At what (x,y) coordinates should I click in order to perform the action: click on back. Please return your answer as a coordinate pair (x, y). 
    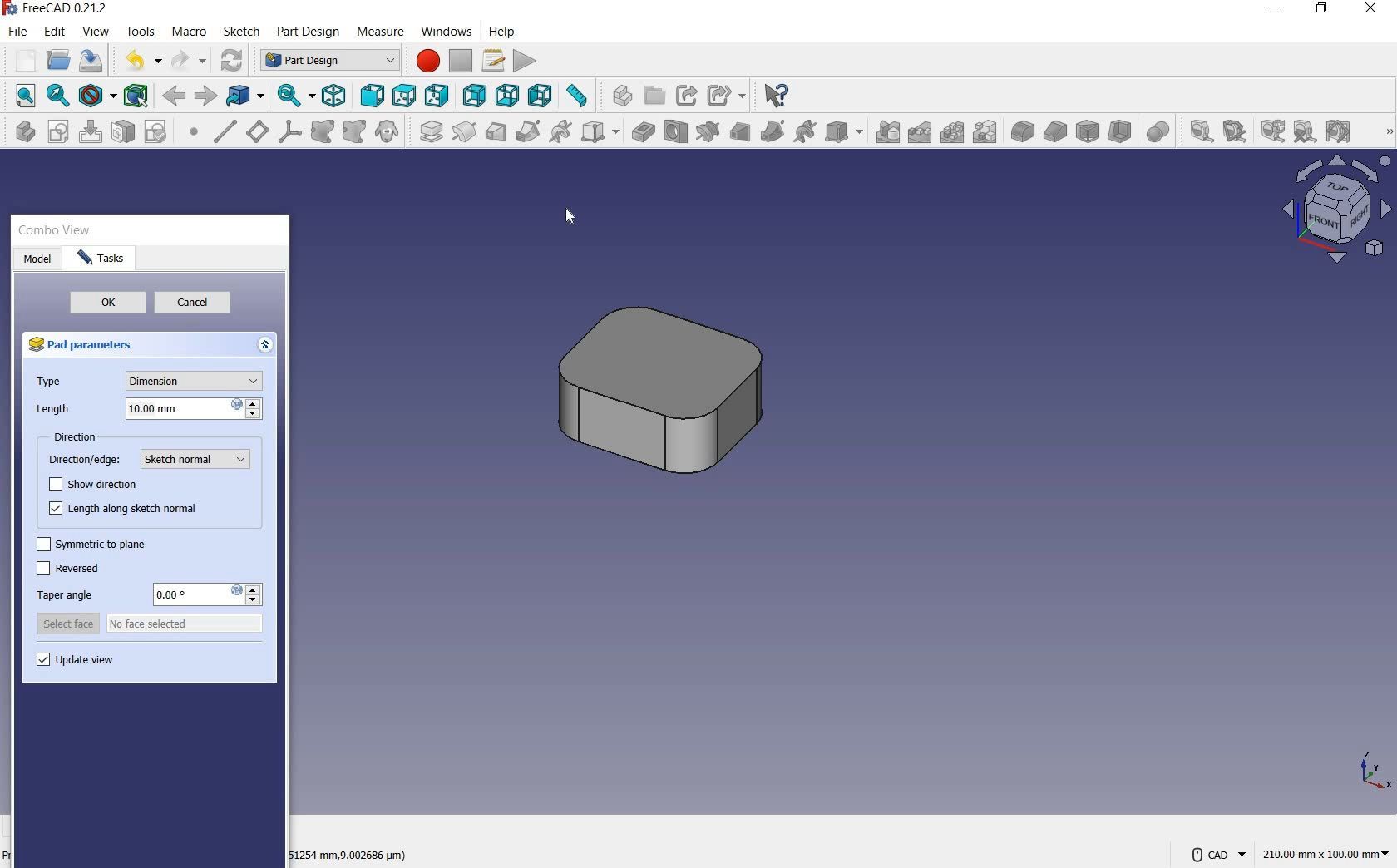
    Looking at the image, I should click on (207, 96).